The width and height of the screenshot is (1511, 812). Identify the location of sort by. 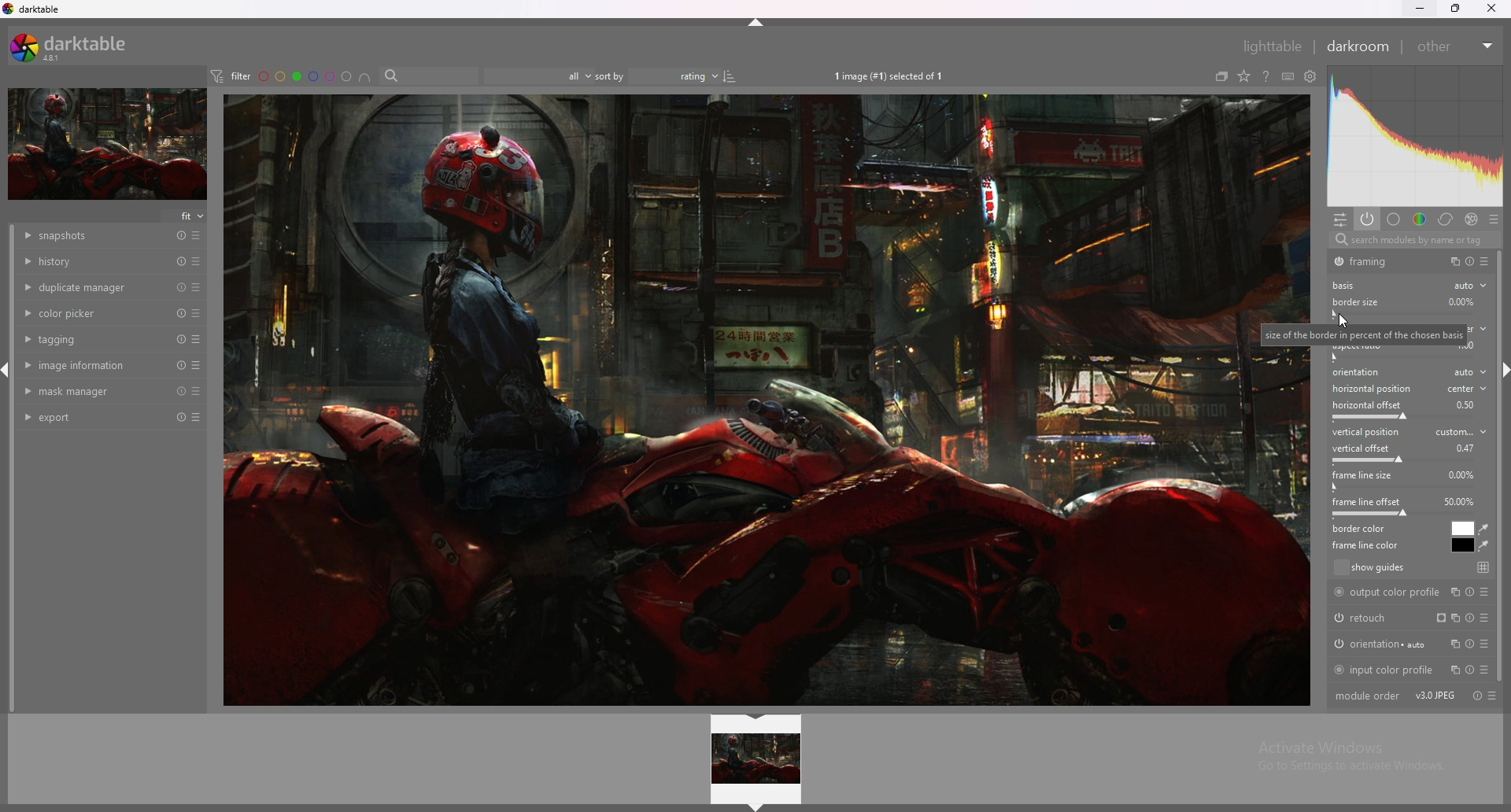
(608, 76).